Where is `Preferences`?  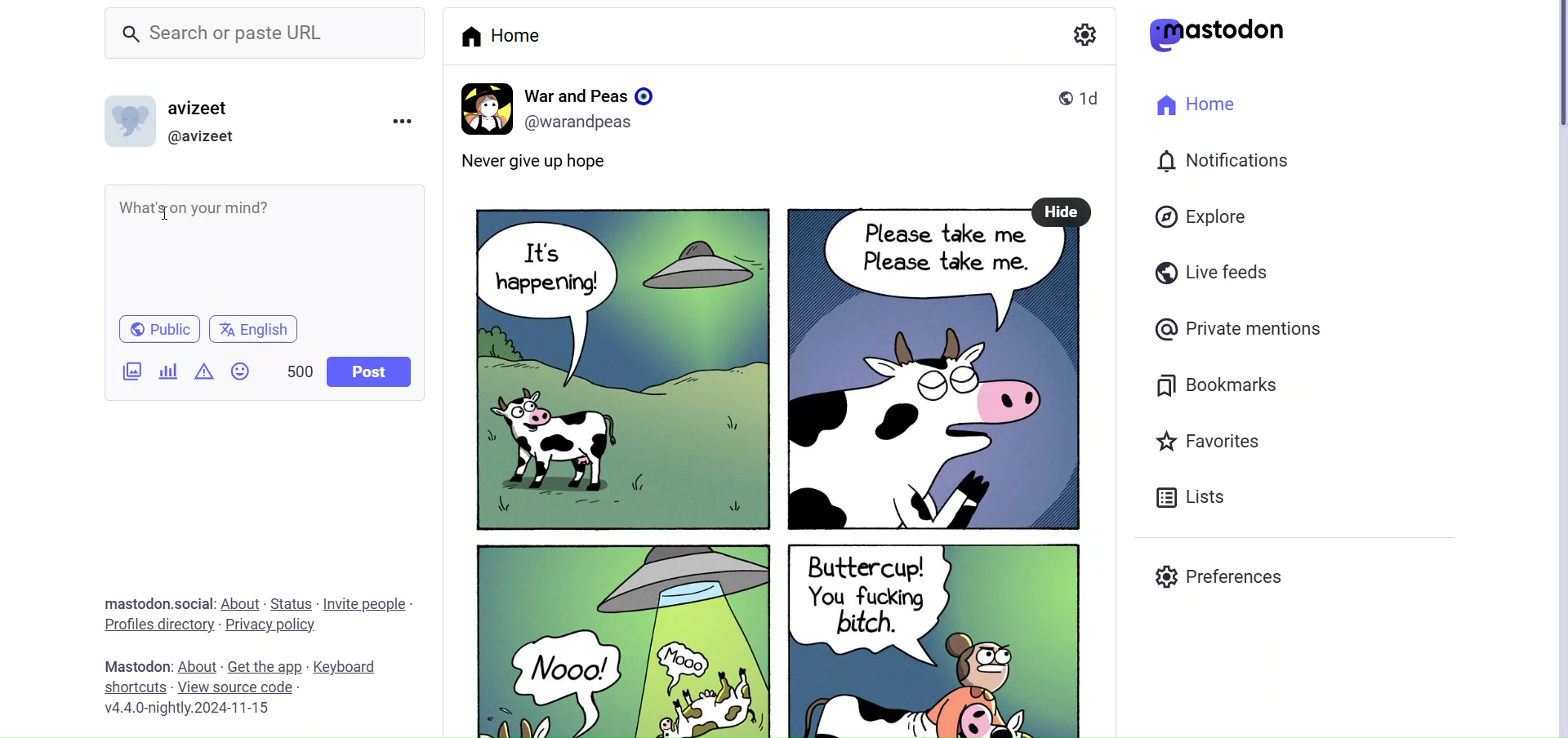
Preferences is located at coordinates (1222, 579).